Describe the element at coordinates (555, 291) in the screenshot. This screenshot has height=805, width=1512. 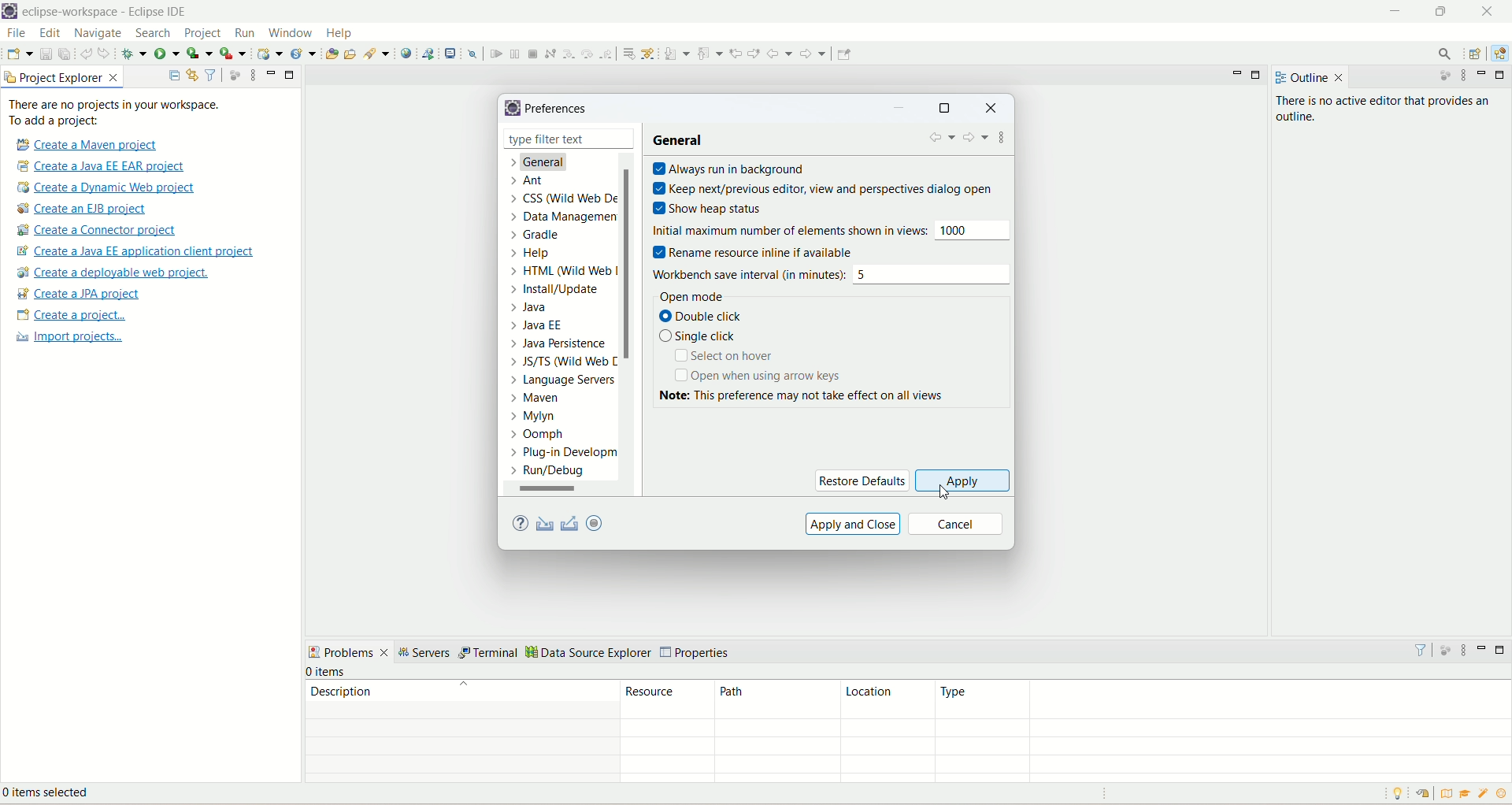
I see `Instal/update` at that location.